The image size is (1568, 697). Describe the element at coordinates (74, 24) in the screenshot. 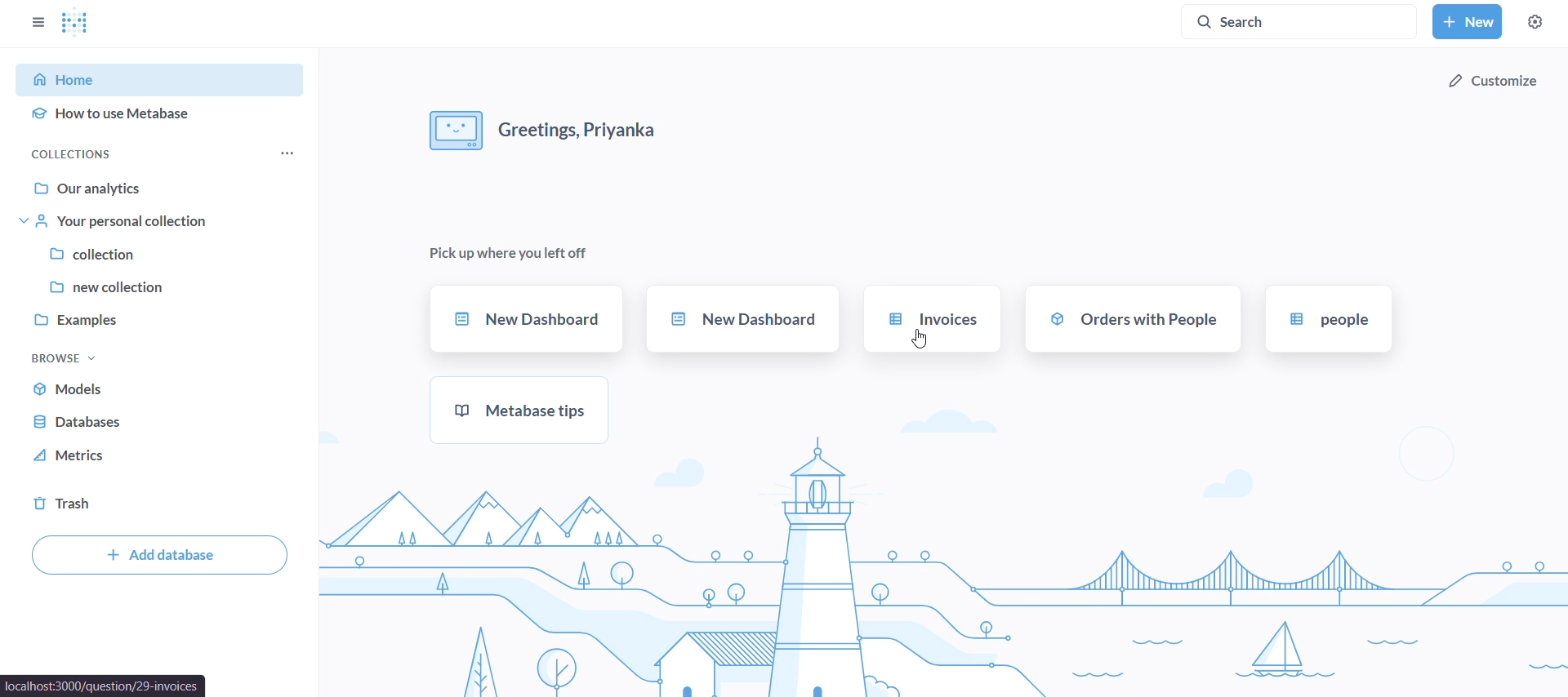

I see `Metabase logo` at that location.